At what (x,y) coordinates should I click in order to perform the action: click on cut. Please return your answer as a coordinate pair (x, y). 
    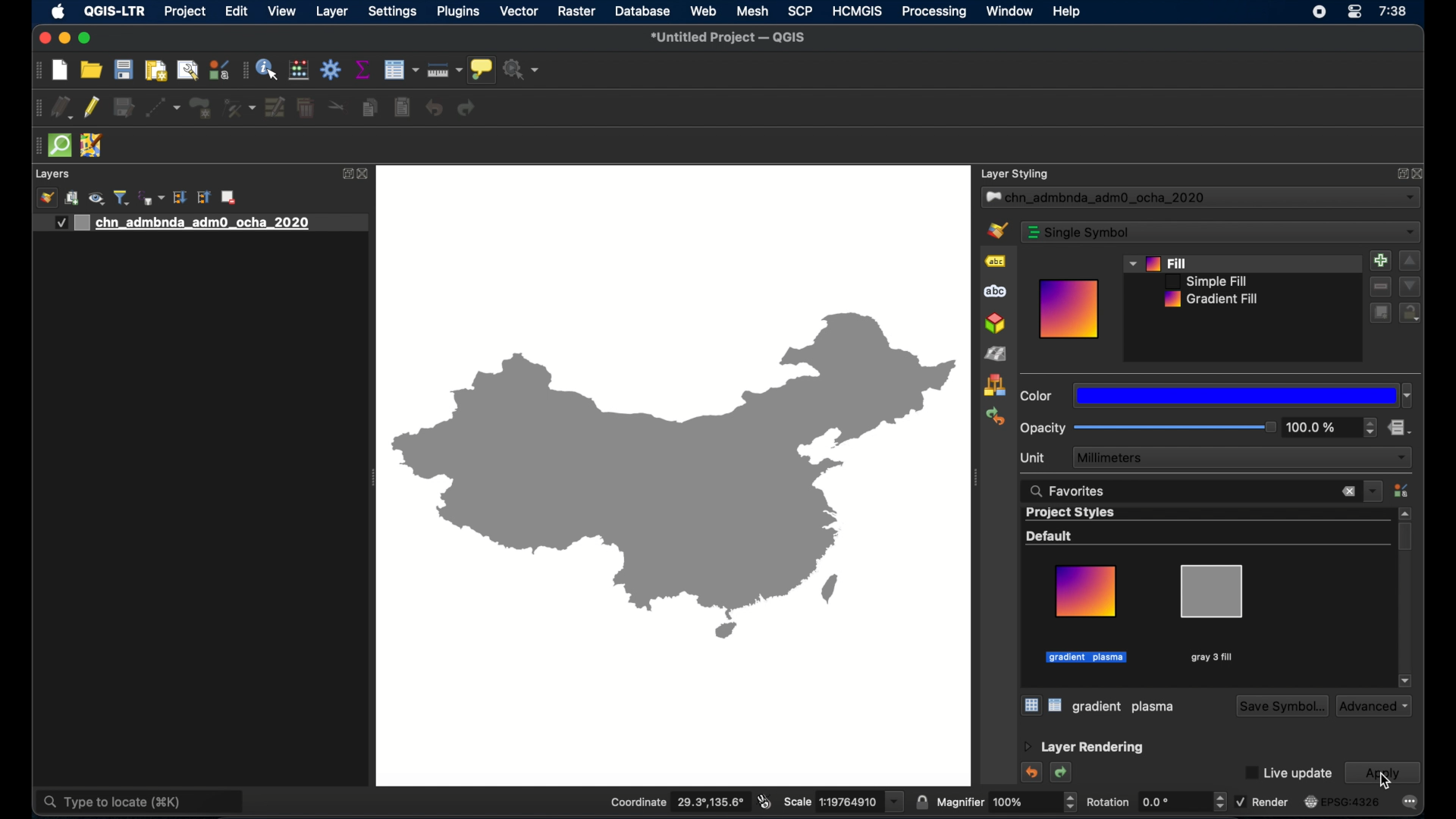
    Looking at the image, I should click on (339, 105).